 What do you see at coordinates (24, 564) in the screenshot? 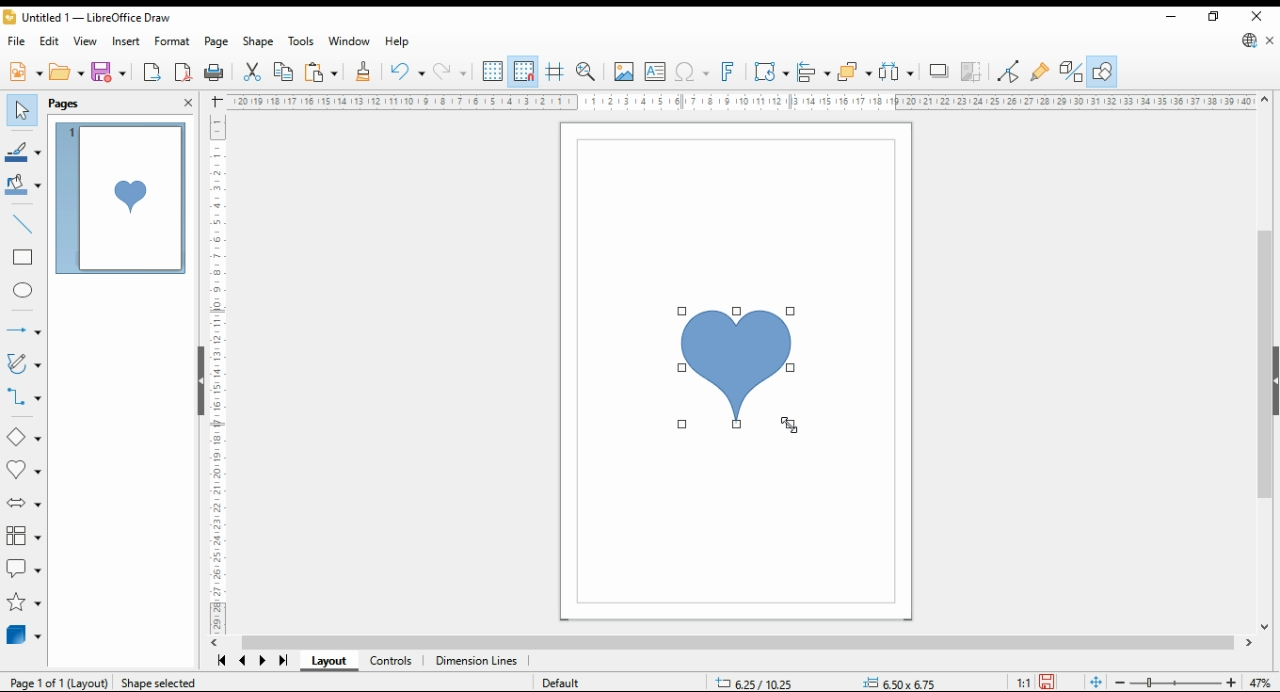
I see `callout shapes` at bounding box center [24, 564].